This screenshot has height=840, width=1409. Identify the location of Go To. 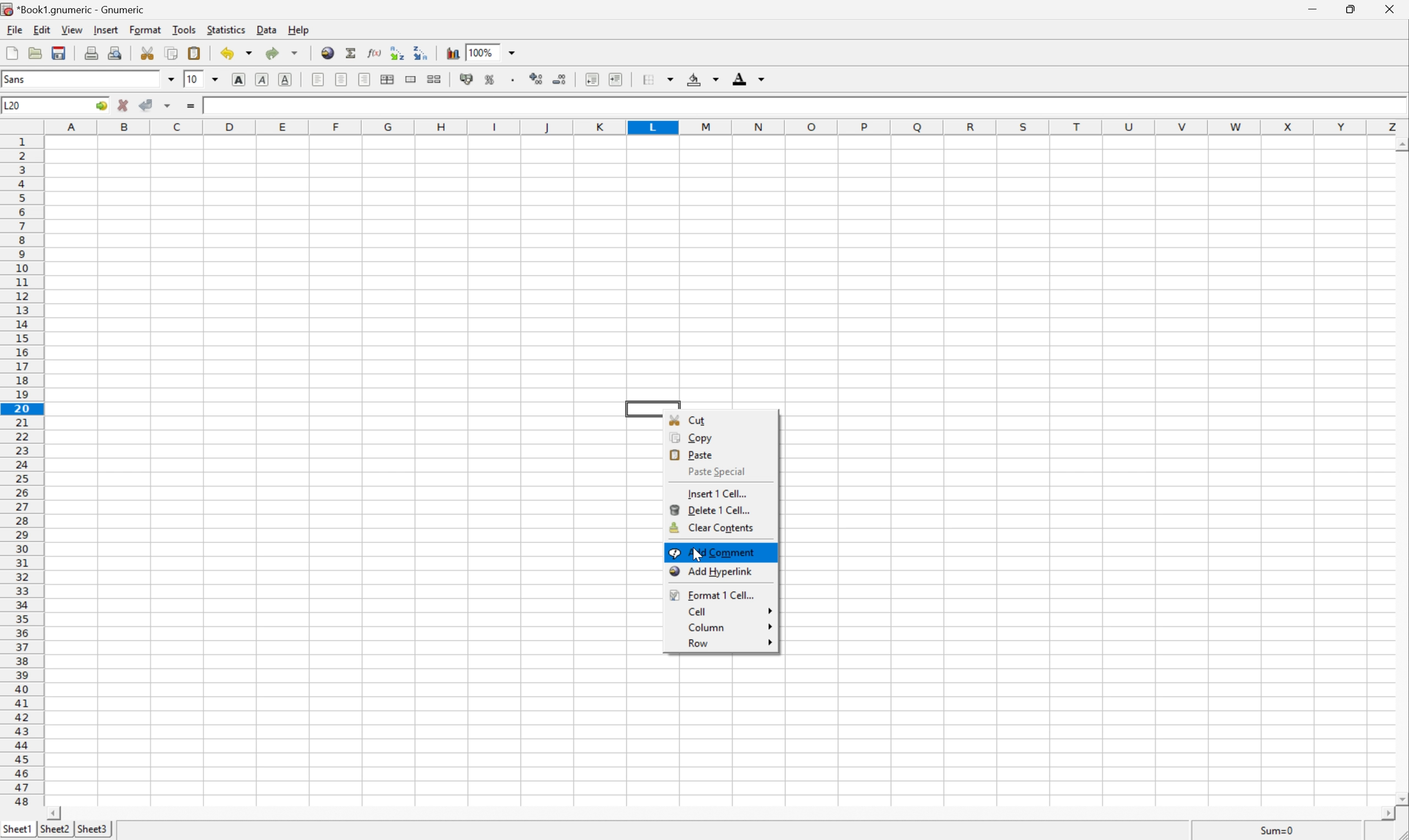
(101, 106).